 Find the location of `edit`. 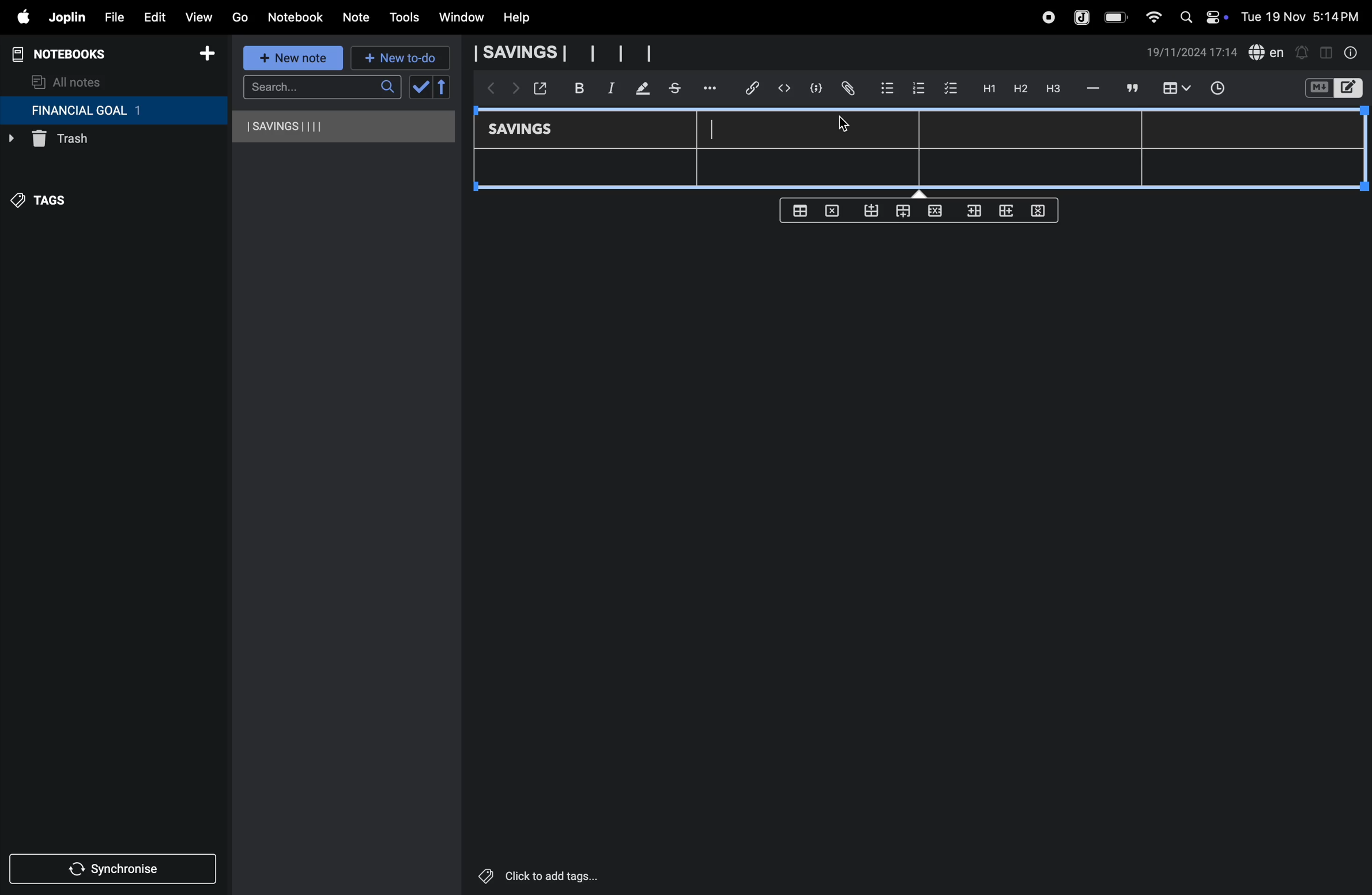

edit is located at coordinates (149, 14).